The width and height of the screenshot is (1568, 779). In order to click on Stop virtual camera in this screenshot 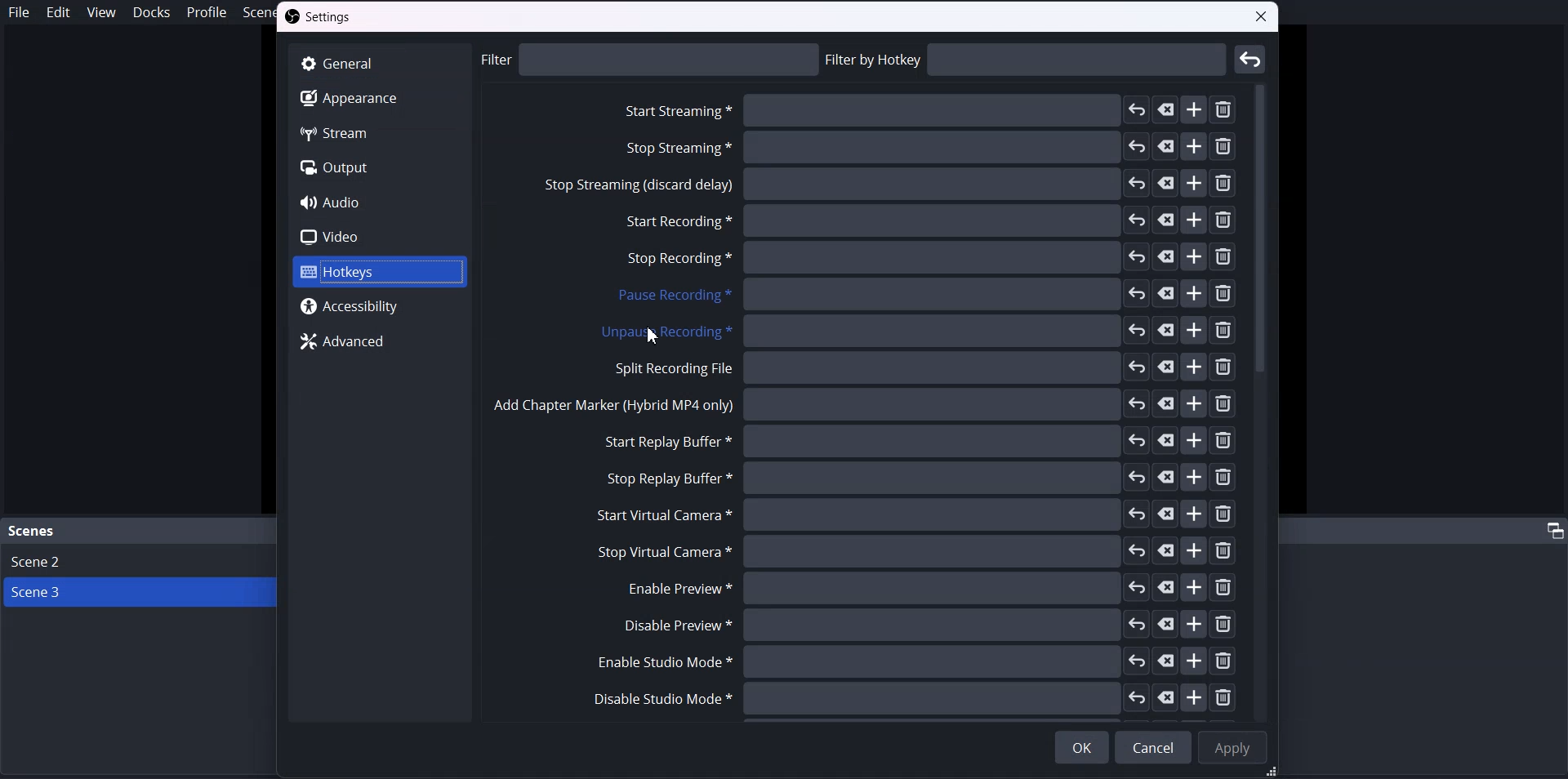, I will do `click(912, 551)`.